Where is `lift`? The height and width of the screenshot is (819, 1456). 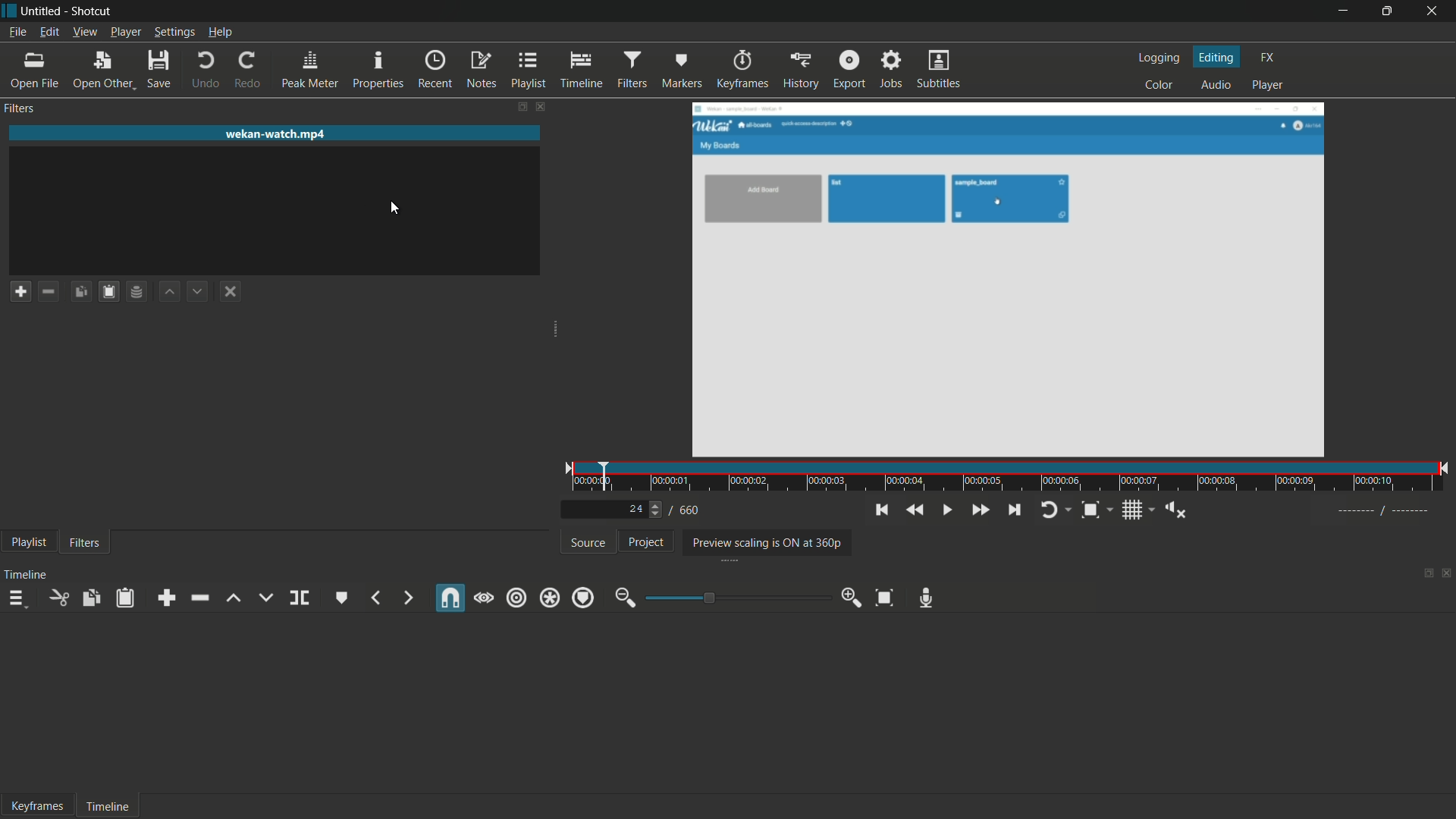
lift is located at coordinates (233, 598).